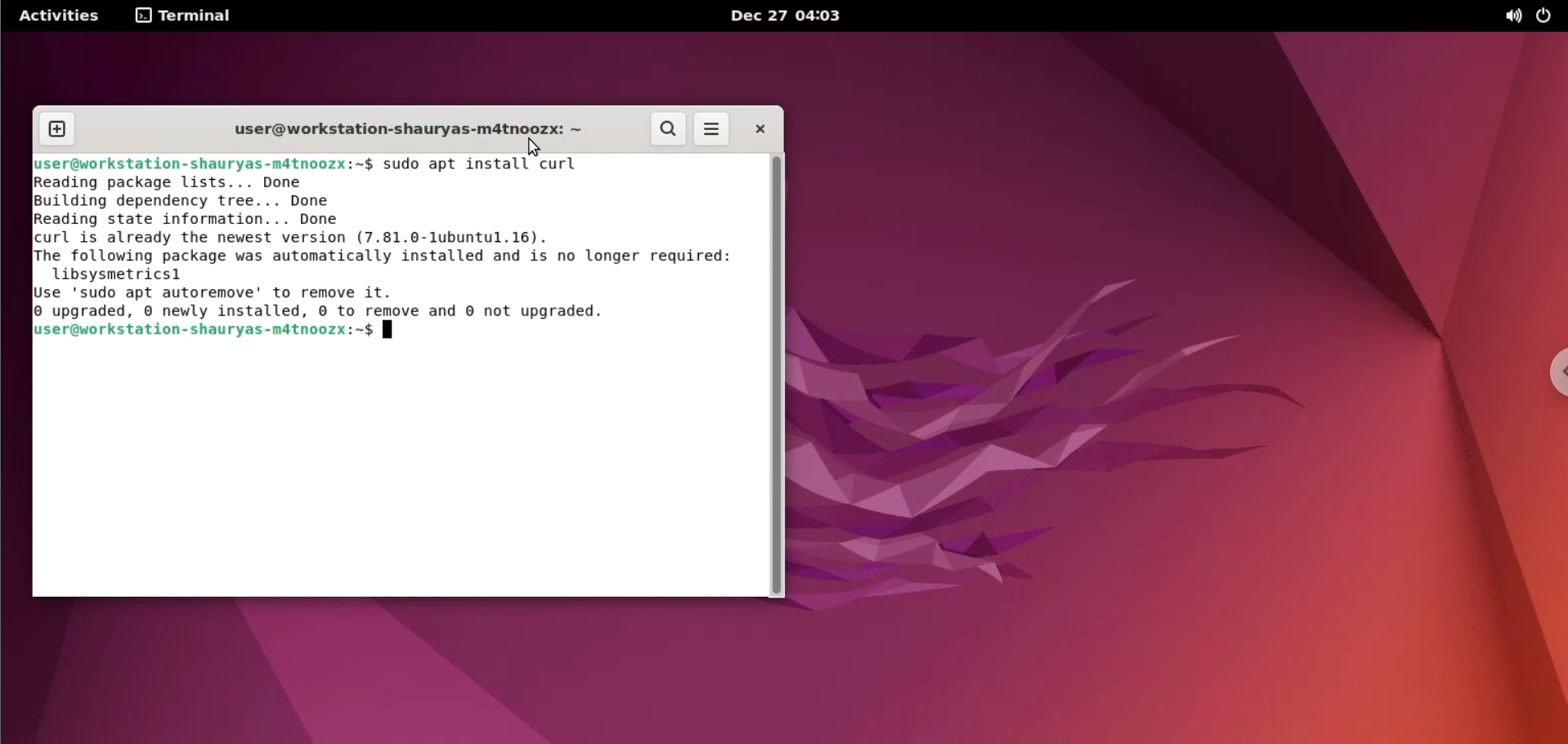 This screenshot has height=744, width=1568. What do you see at coordinates (791, 16) in the screenshot?
I see `Dec 27 04:03` at bounding box center [791, 16].